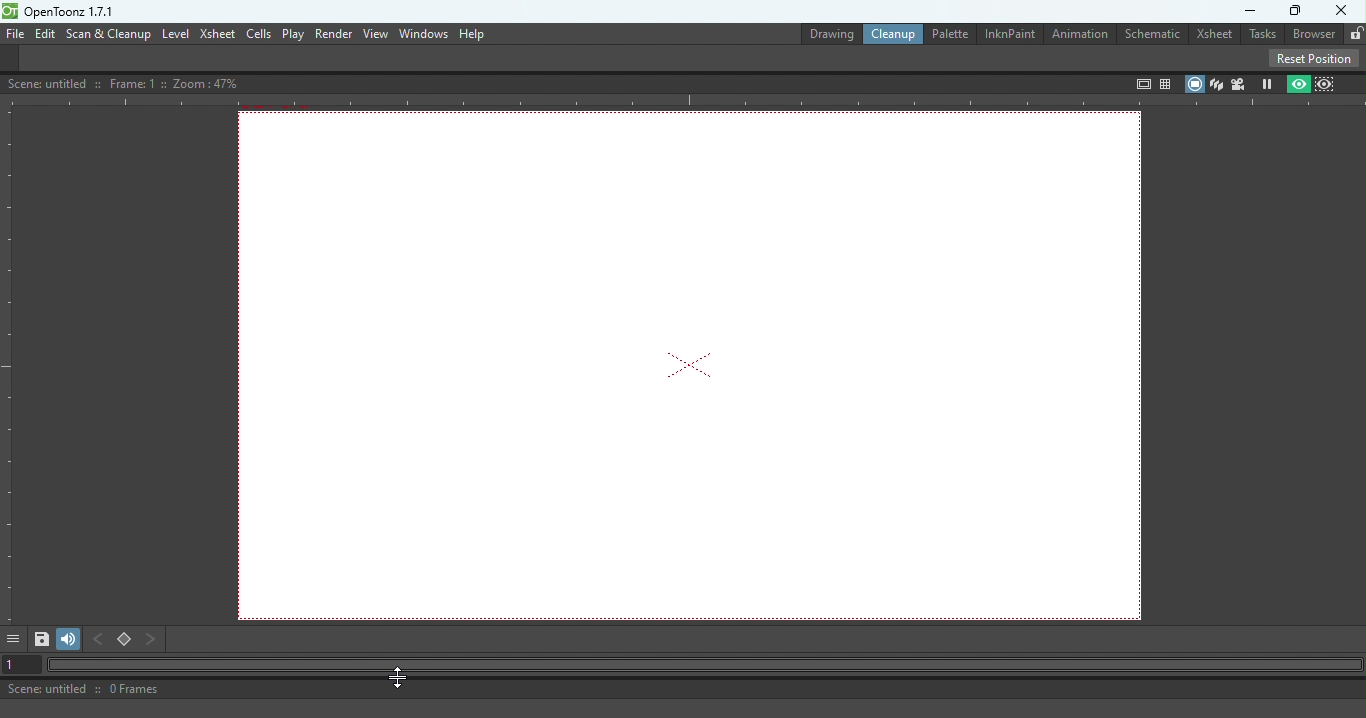 The image size is (1366, 718). What do you see at coordinates (13, 638) in the screenshot?
I see `More Options` at bounding box center [13, 638].